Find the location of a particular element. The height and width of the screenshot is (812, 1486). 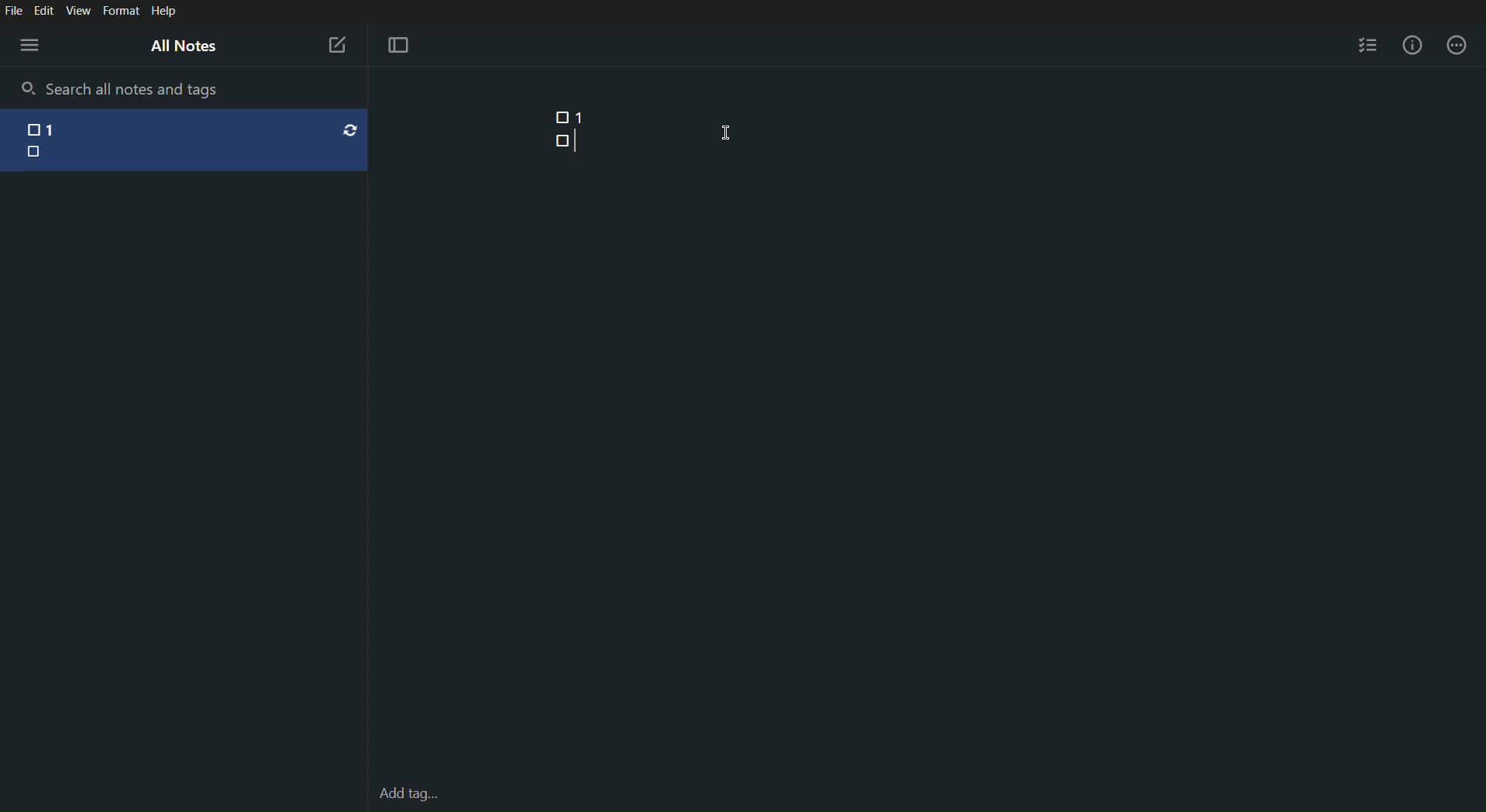

Cursor is located at coordinates (728, 132).